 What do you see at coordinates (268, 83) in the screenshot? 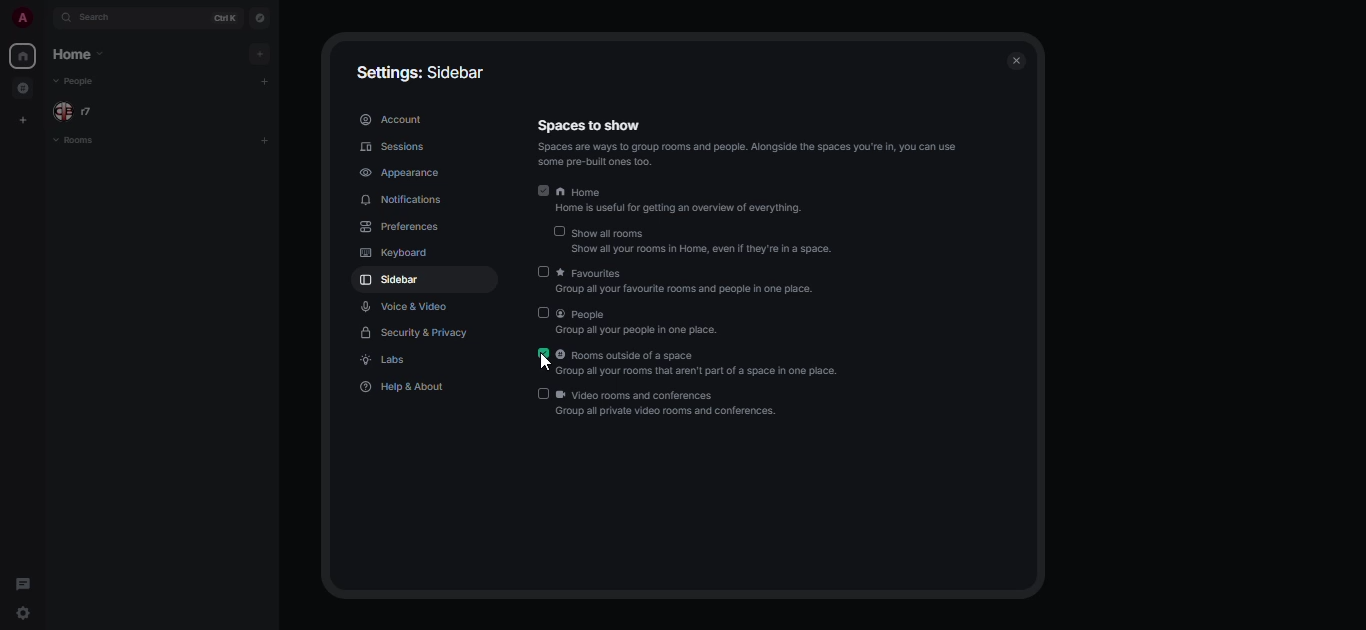
I see `add` at bounding box center [268, 83].